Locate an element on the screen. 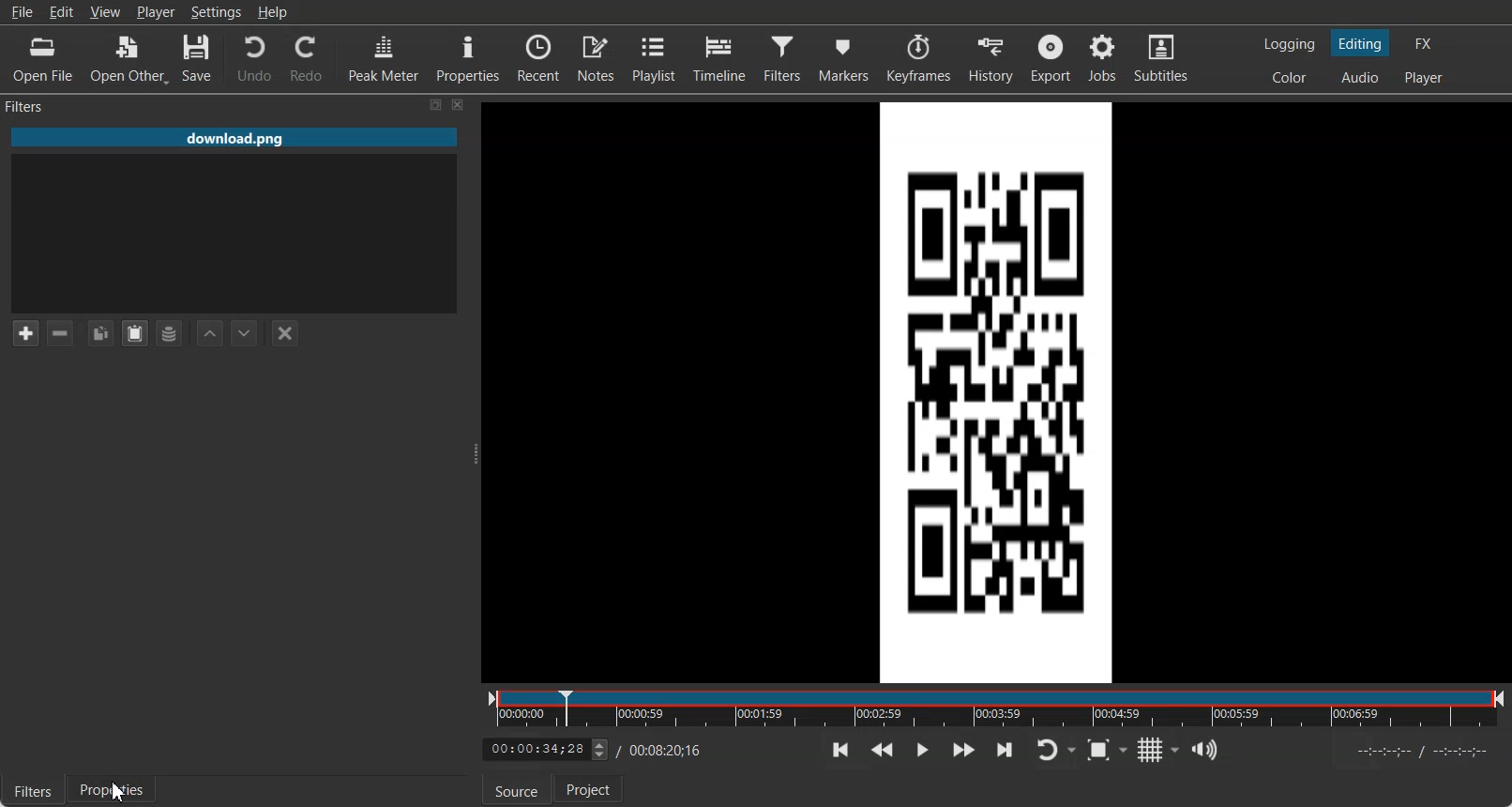  Toggle play or Pause is located at coordinates (922, 749).